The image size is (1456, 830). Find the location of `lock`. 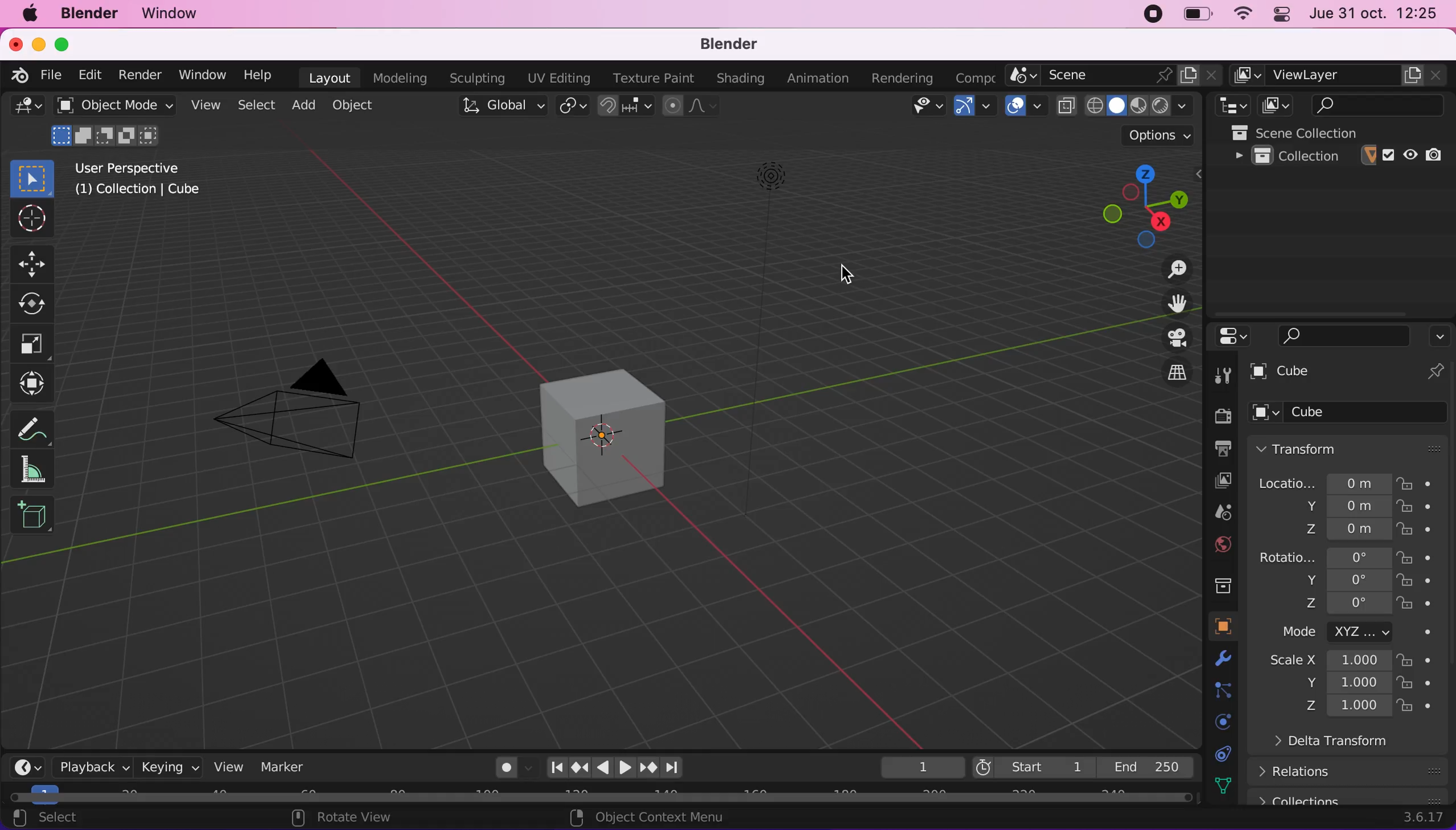

lock is located at coordinates (1426, 531).